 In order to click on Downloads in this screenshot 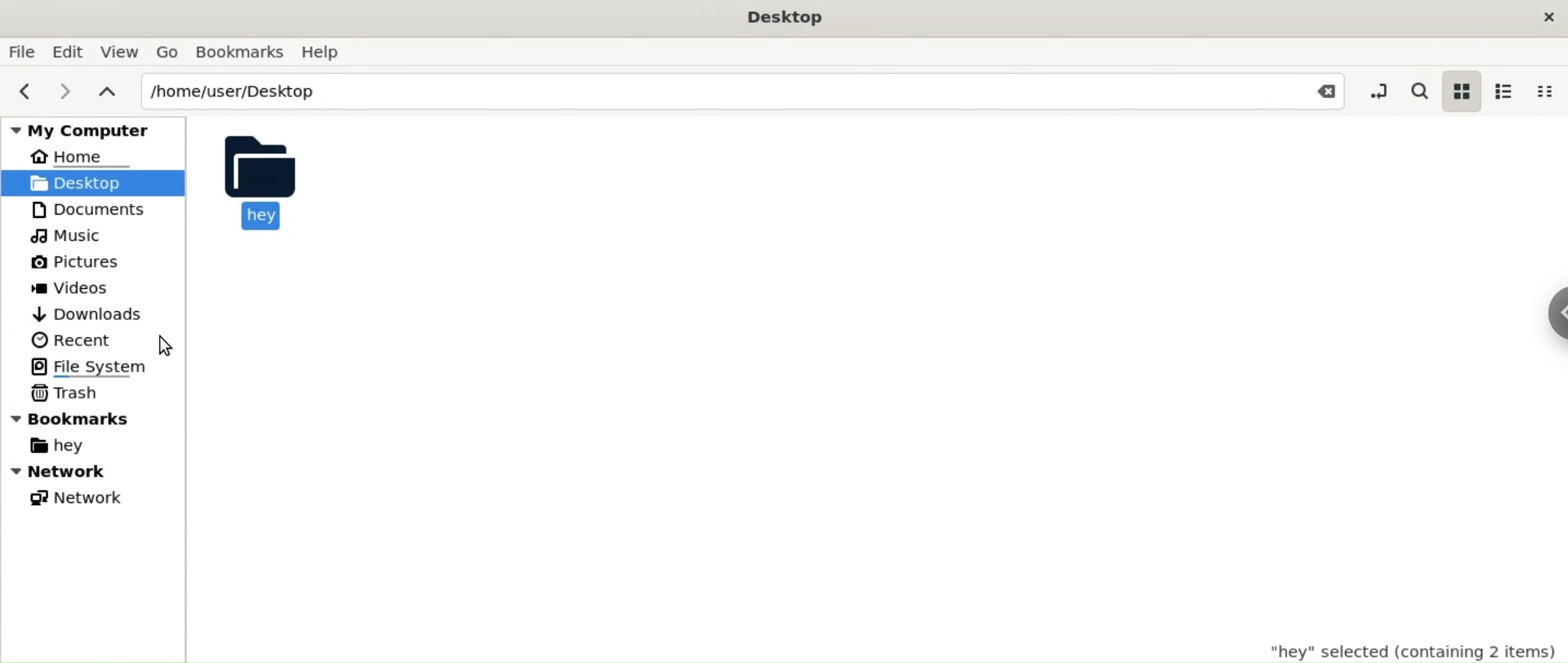, I will do `click(95, 314)`.